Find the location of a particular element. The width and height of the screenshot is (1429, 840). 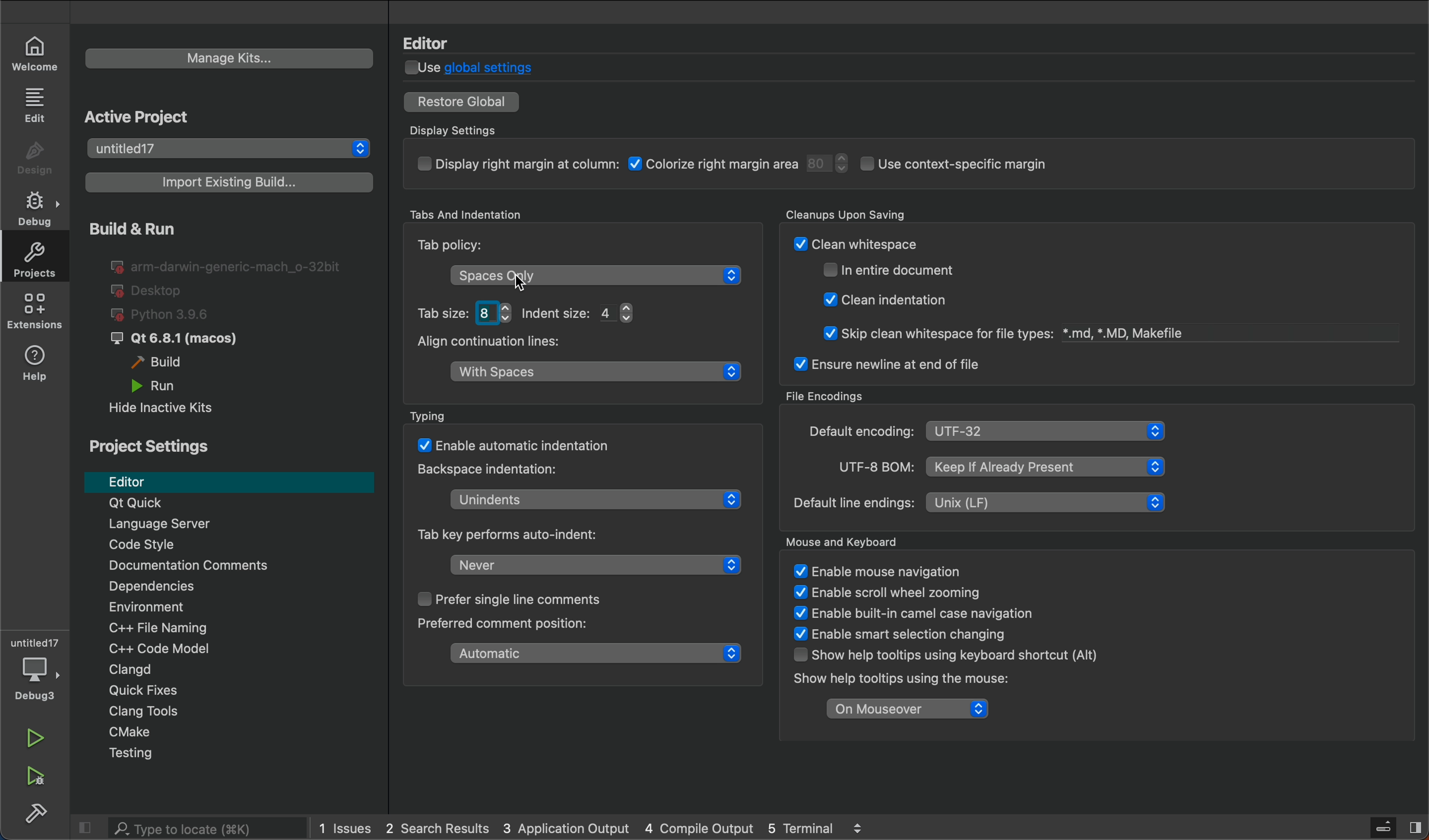

welcome is located at coordinates (38, 54).